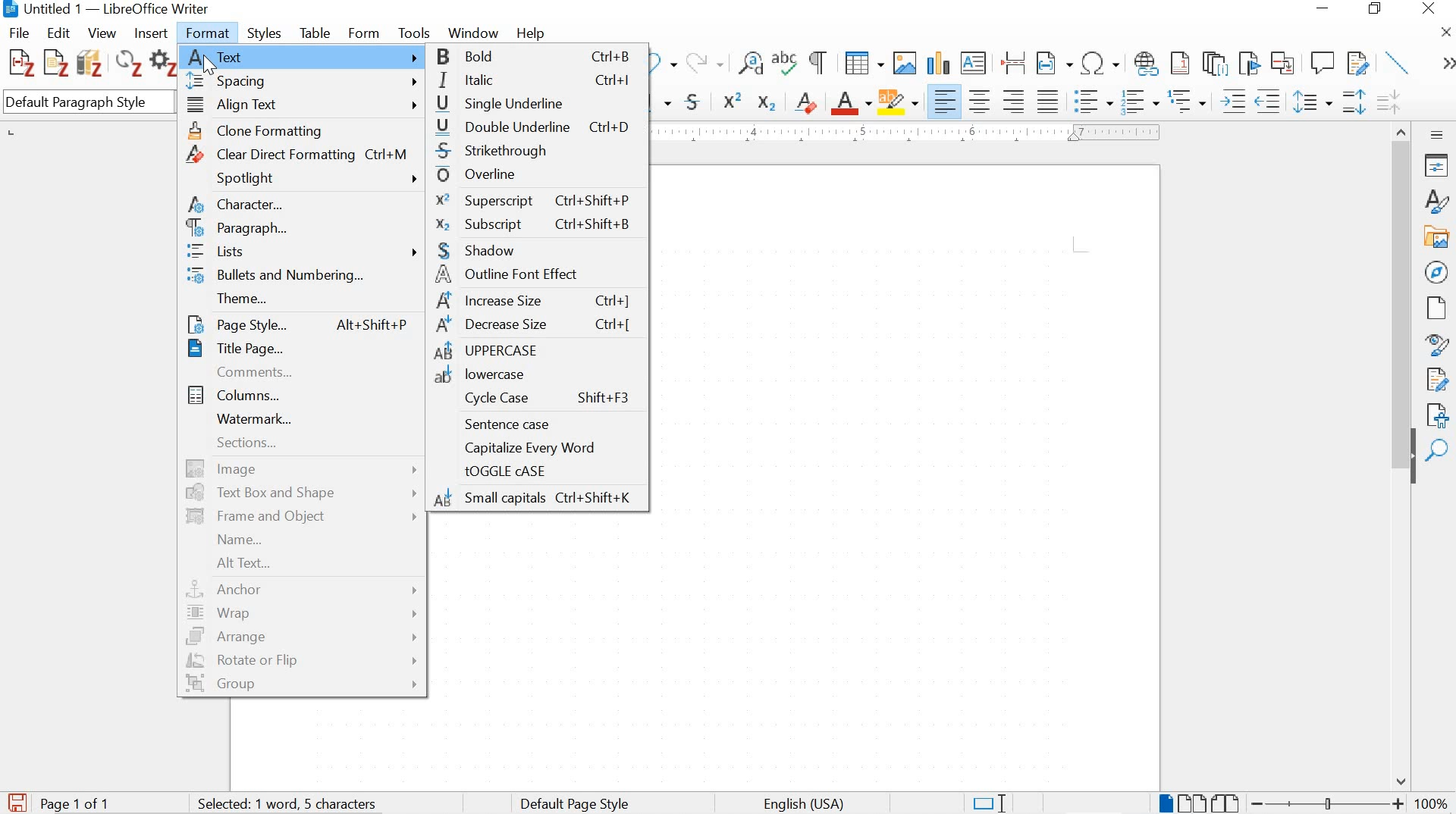 Image resolution: width=1456 pixels, height=814 pixels. What do you see at coordinates (1164, 803) in the screenshot?
I see `single page view` at bounding box center [1164, 803].